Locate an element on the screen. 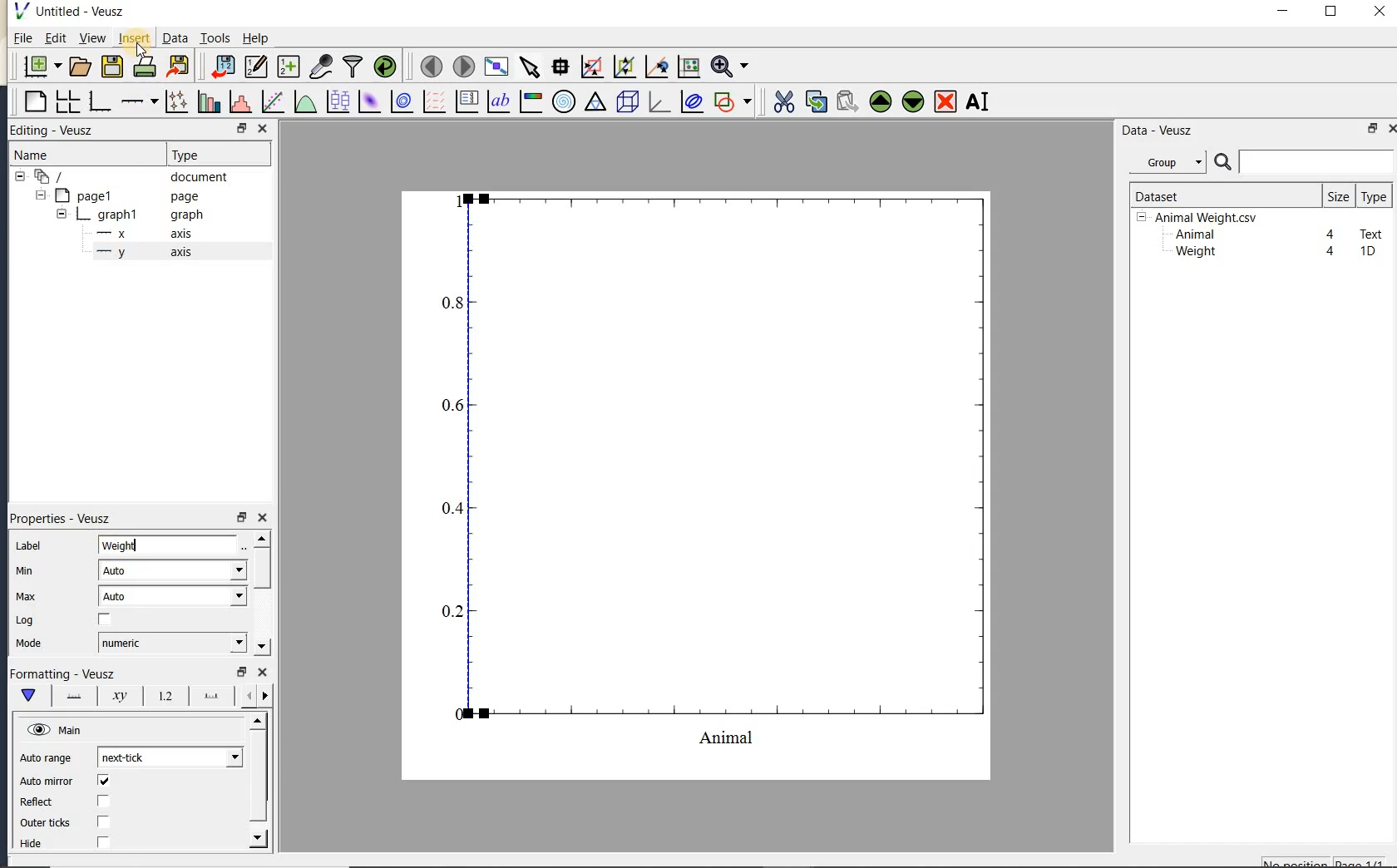 Image resolution: width=1397 pixels, height=868 pixels. check/uncheck is located at coordinates (103, 781).